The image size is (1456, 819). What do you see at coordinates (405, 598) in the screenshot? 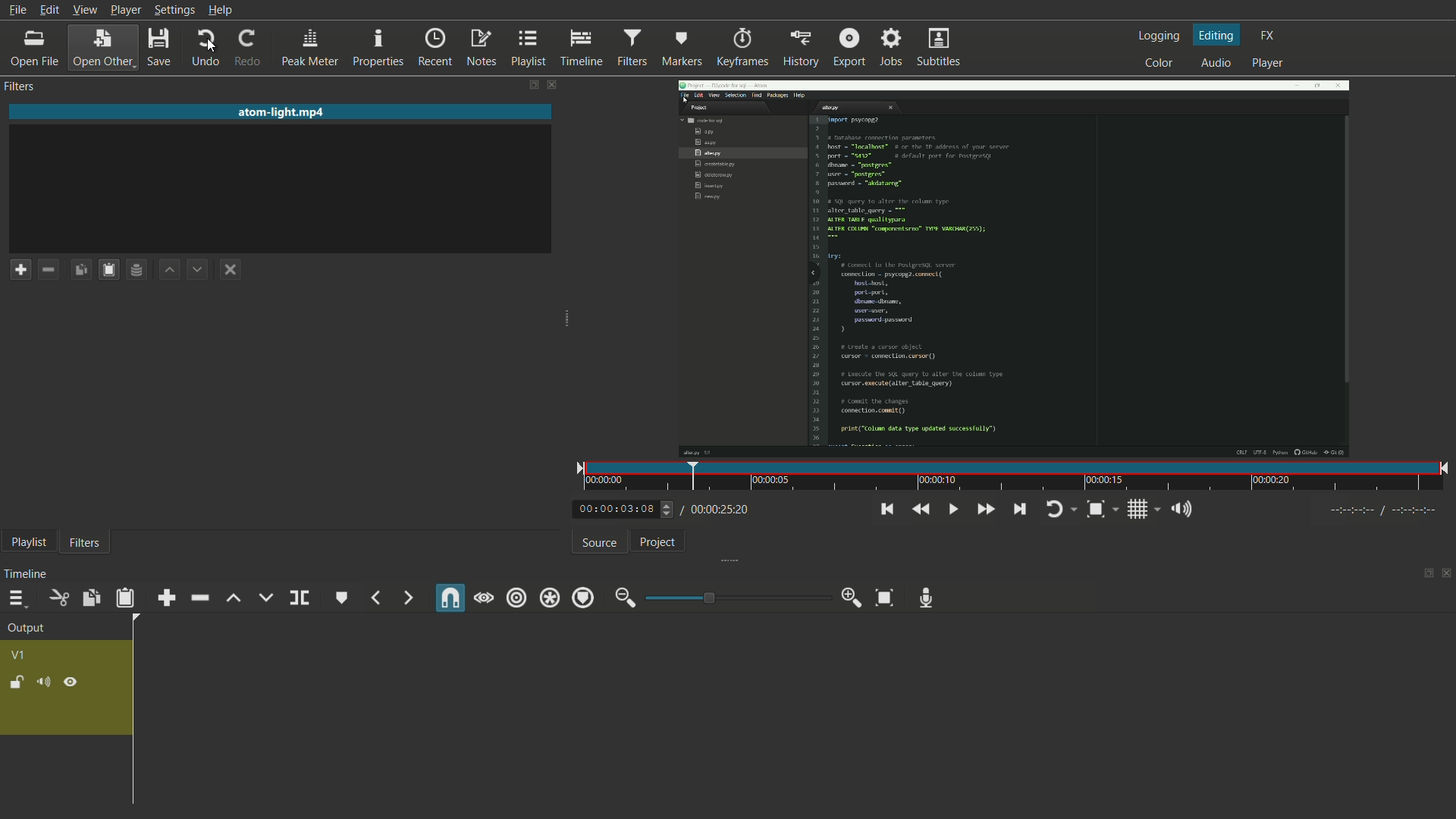
I see `next marker` at bounding box center [405, 598].